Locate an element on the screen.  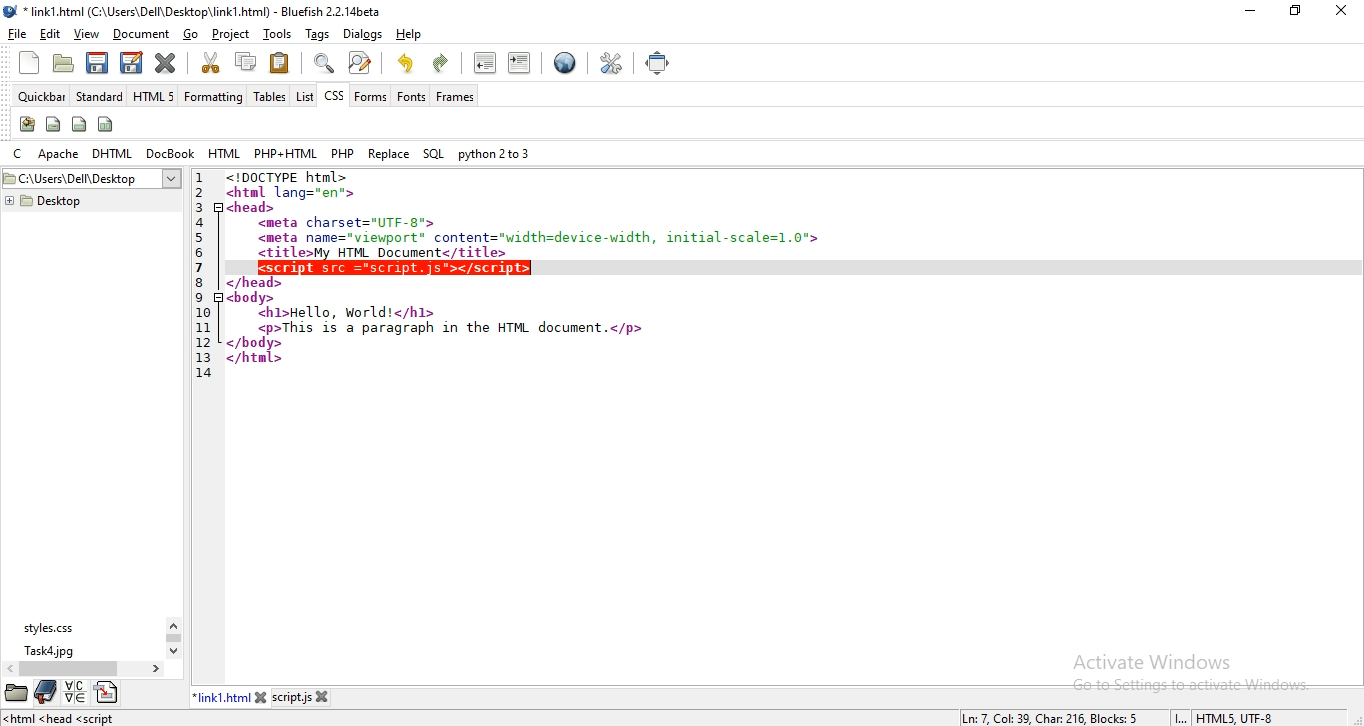
desktop is located at coordinates (43, 201).